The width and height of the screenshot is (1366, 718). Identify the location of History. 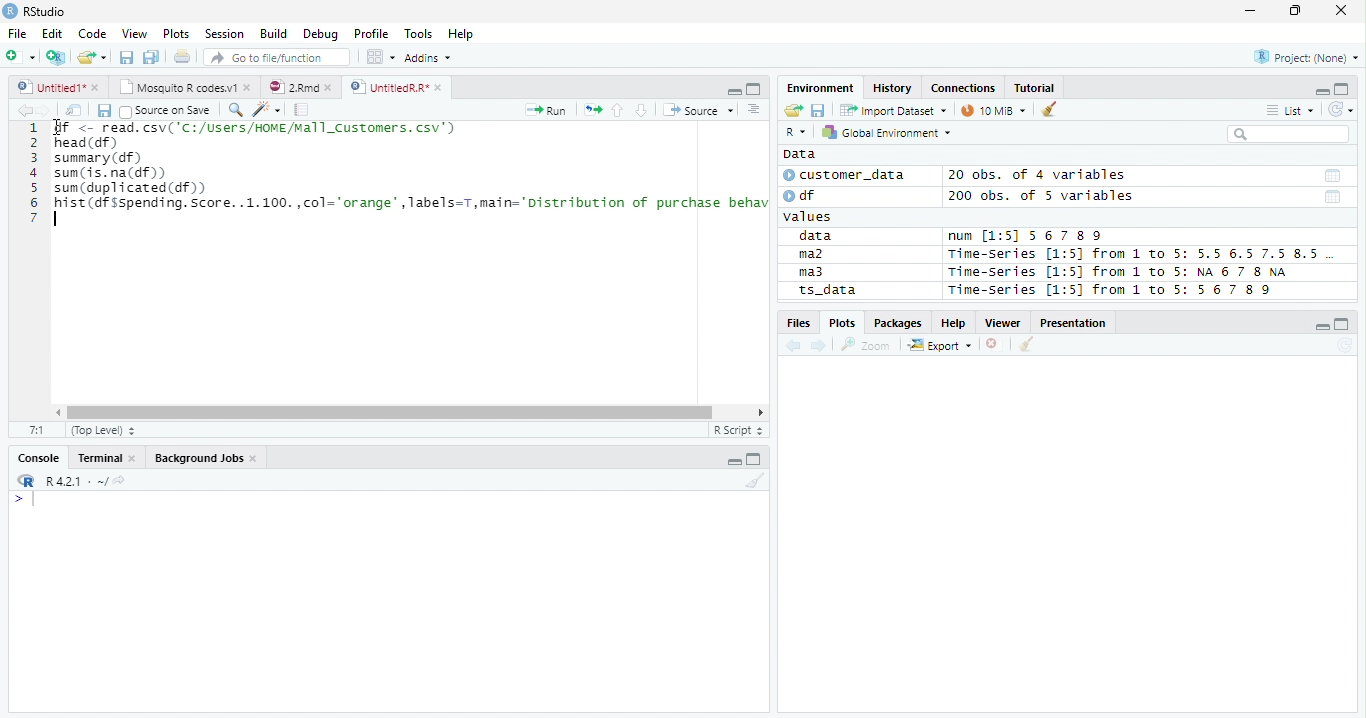
(894, 89).